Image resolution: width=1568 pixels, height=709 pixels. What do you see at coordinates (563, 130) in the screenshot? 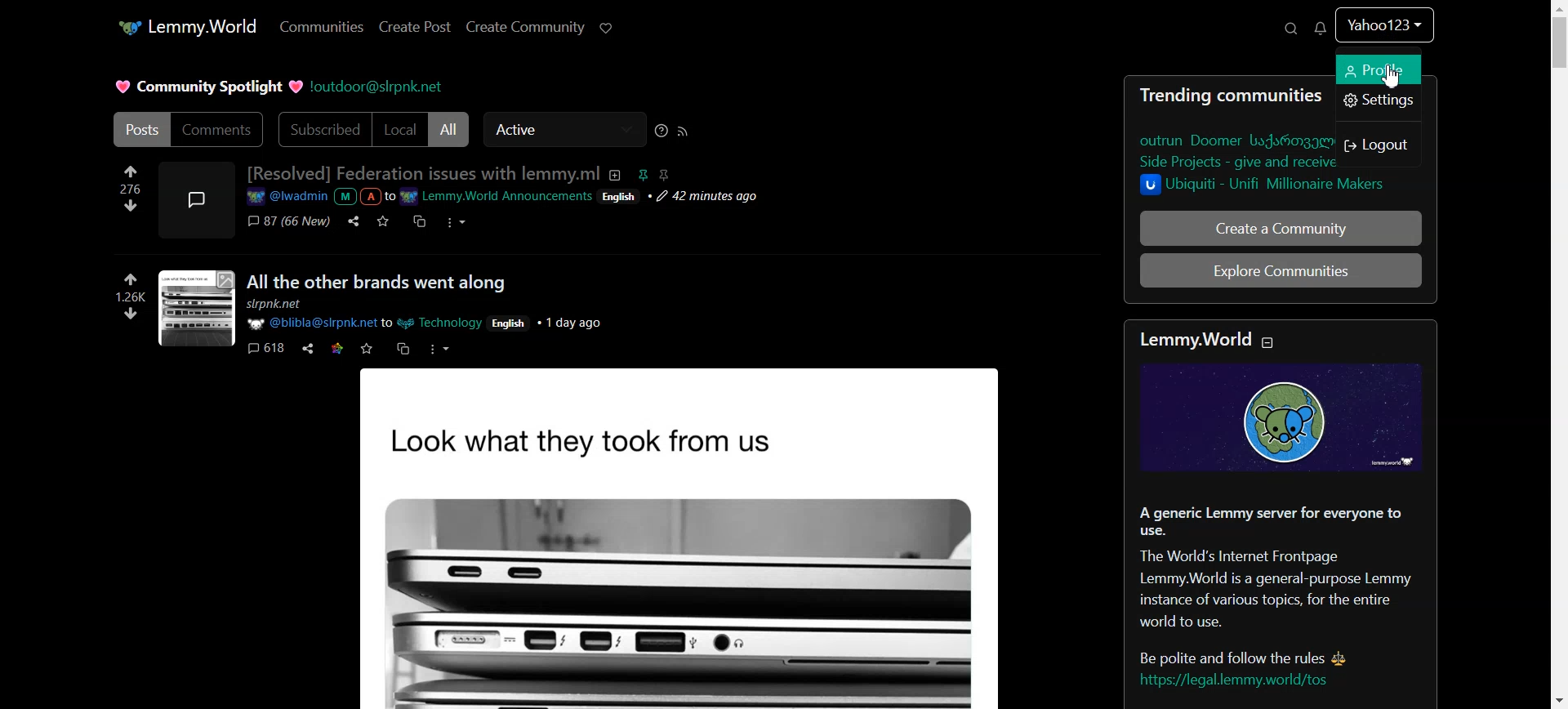
I see `Active` at bounding box center [563, 130].